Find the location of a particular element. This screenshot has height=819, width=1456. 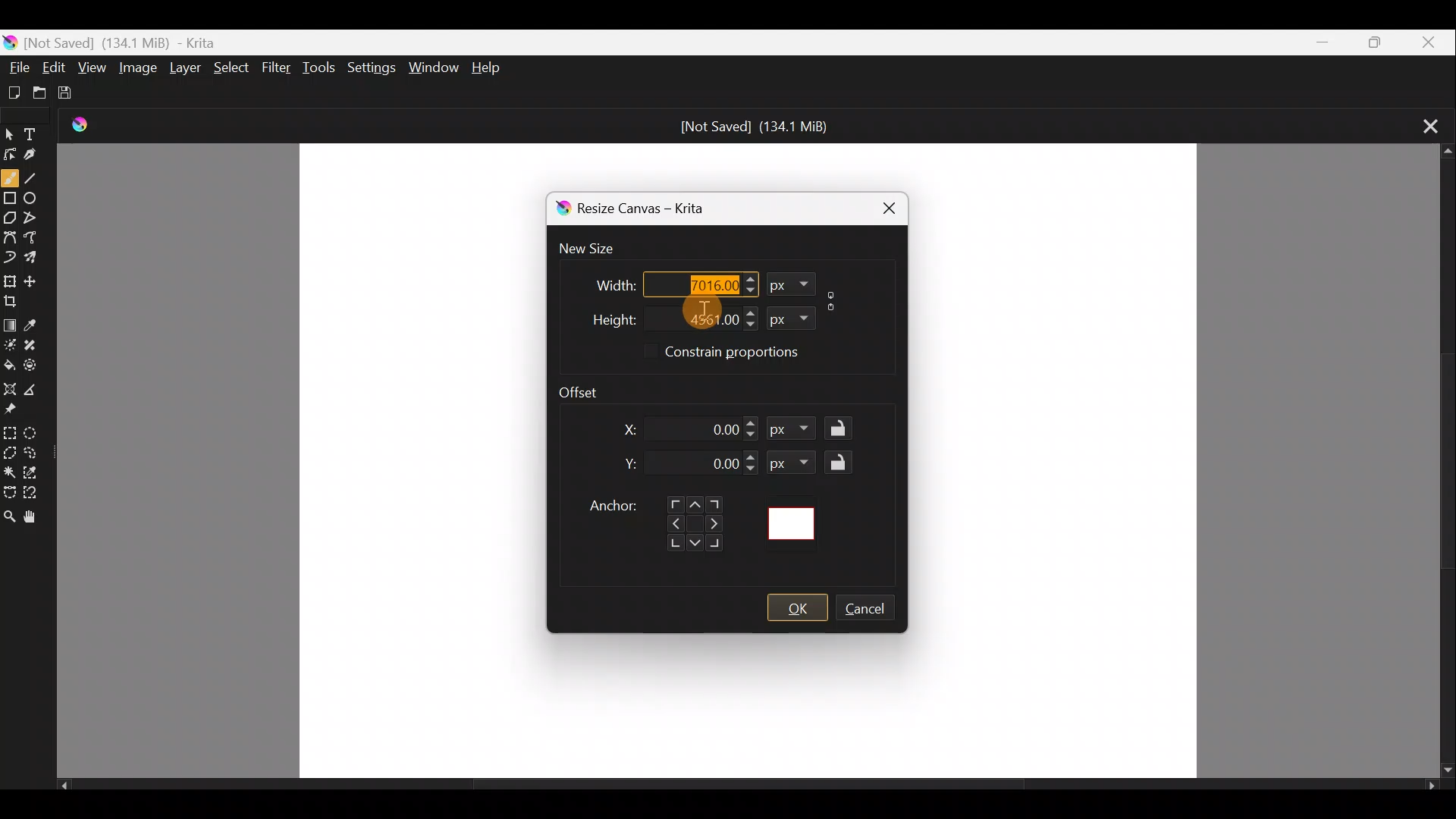

Close tab is located at coordinates (1424, 124).